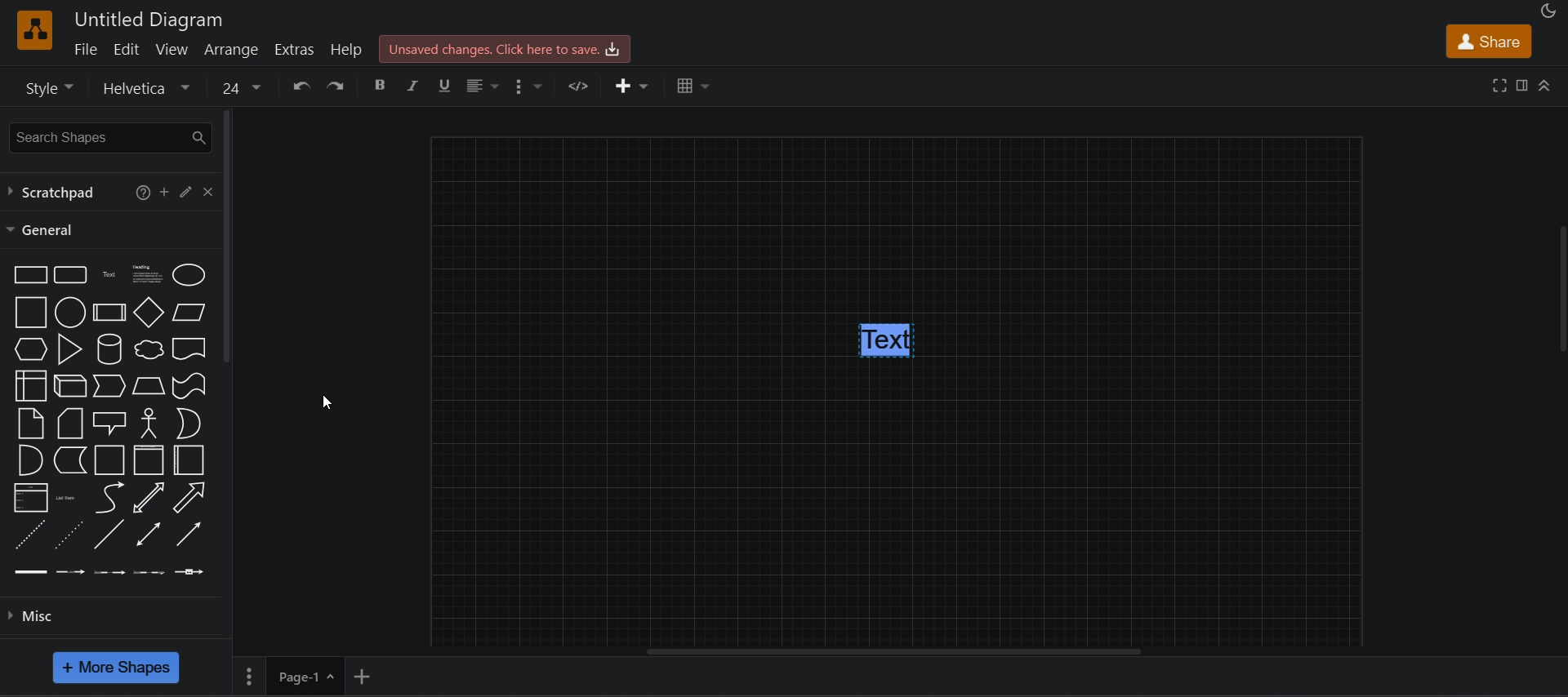 The image size is (1568, 697). Describe the element at coordinates (346, 49) in the screenshot. I see `help` at that location.